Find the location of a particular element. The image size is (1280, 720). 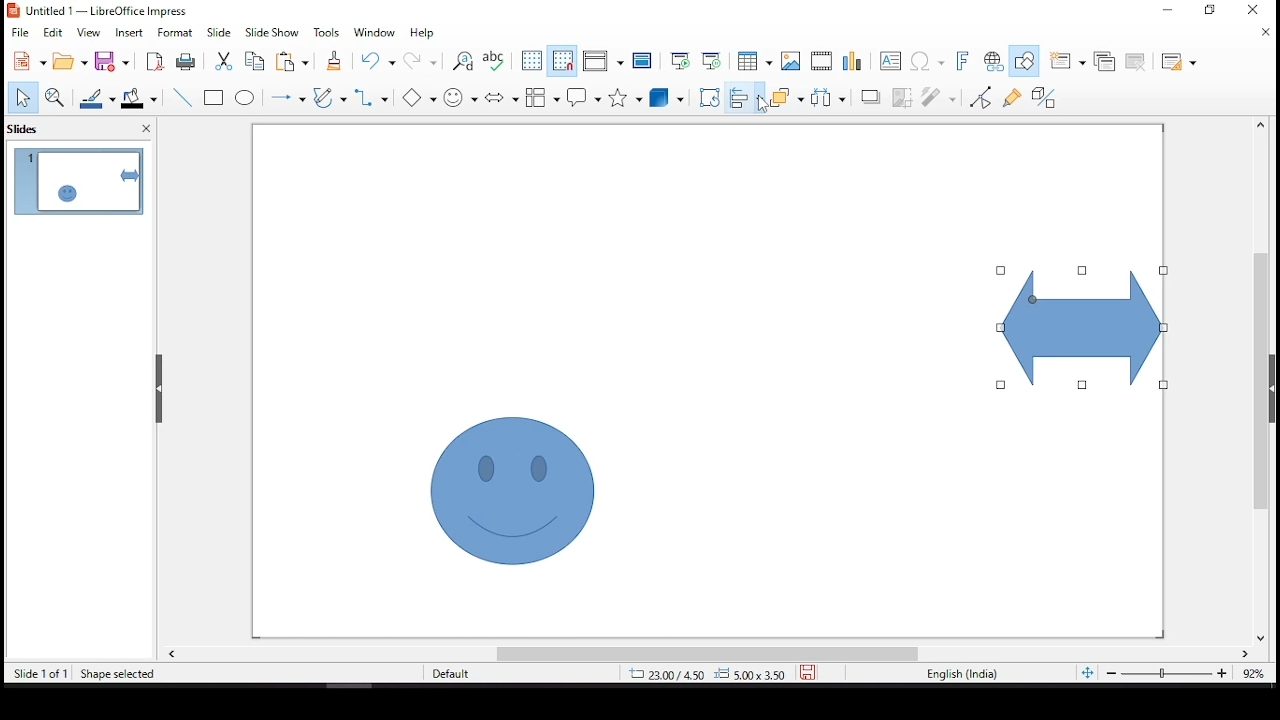

duplicate slide is located at coordinates (1106, 59).